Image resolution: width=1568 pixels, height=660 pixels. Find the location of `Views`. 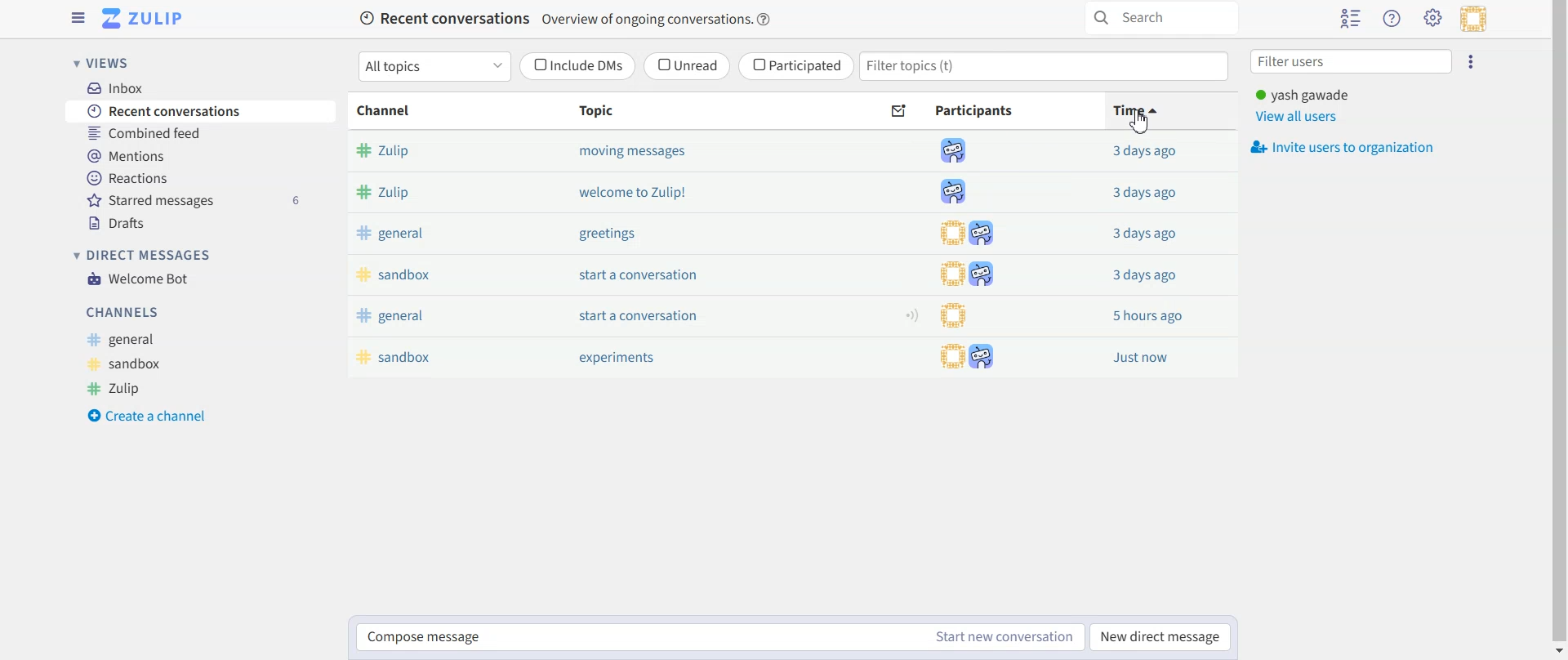

Views is located at coordinates (103, 63).